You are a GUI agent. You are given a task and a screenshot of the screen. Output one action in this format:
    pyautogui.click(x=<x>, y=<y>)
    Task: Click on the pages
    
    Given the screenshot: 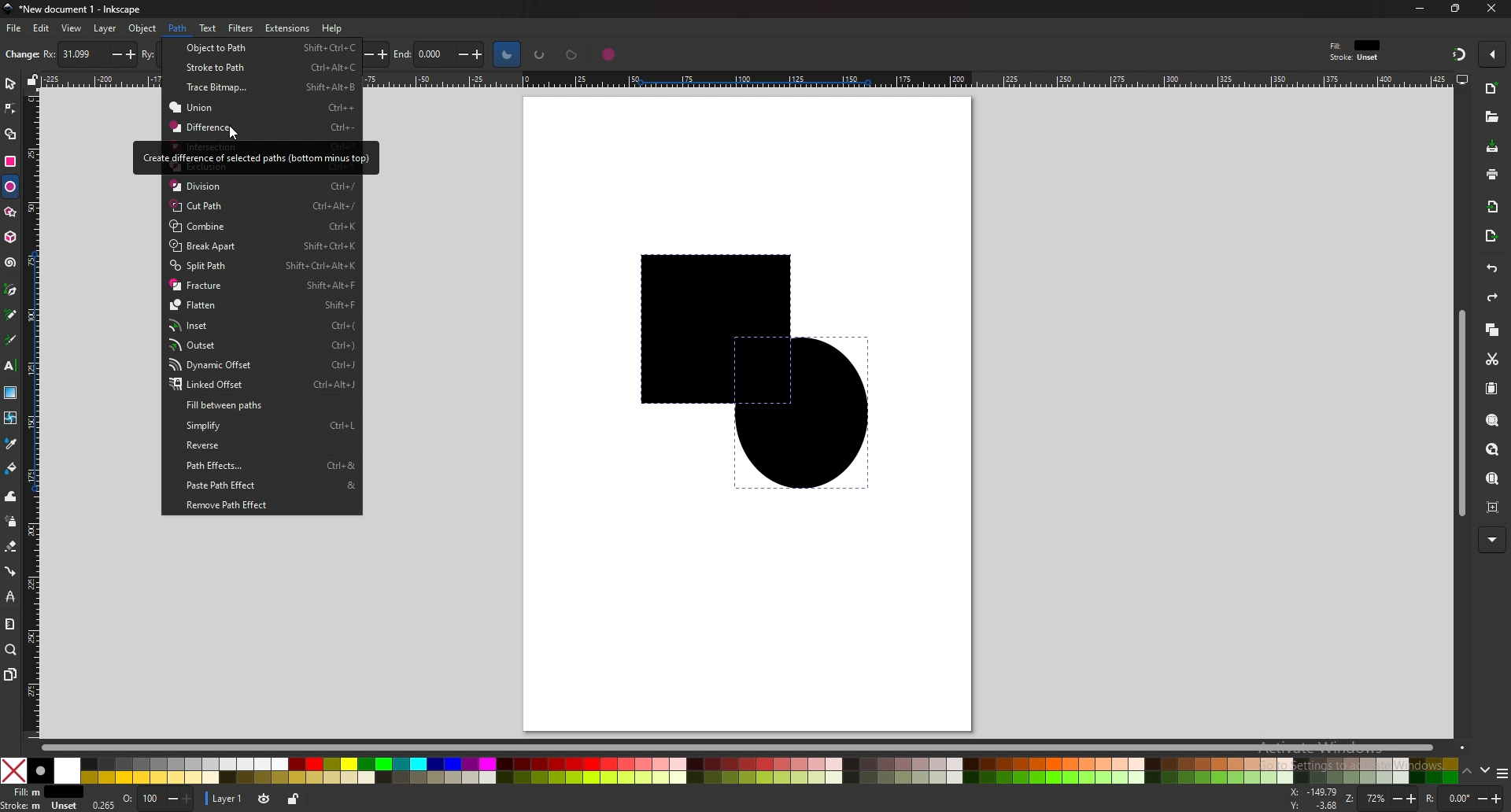 What is the action you would take?
    pyautogui.click(x=9, y=674)
    